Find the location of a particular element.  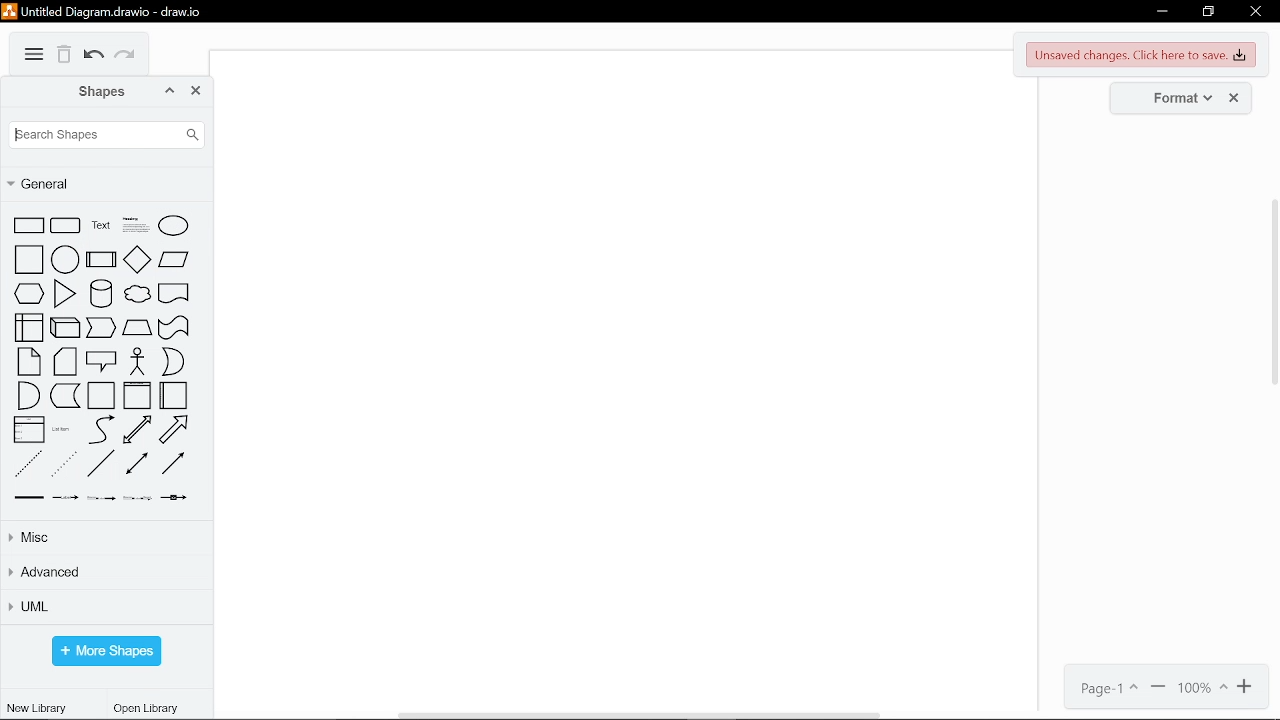

connector with symbol is located at coordinates (176, 498).